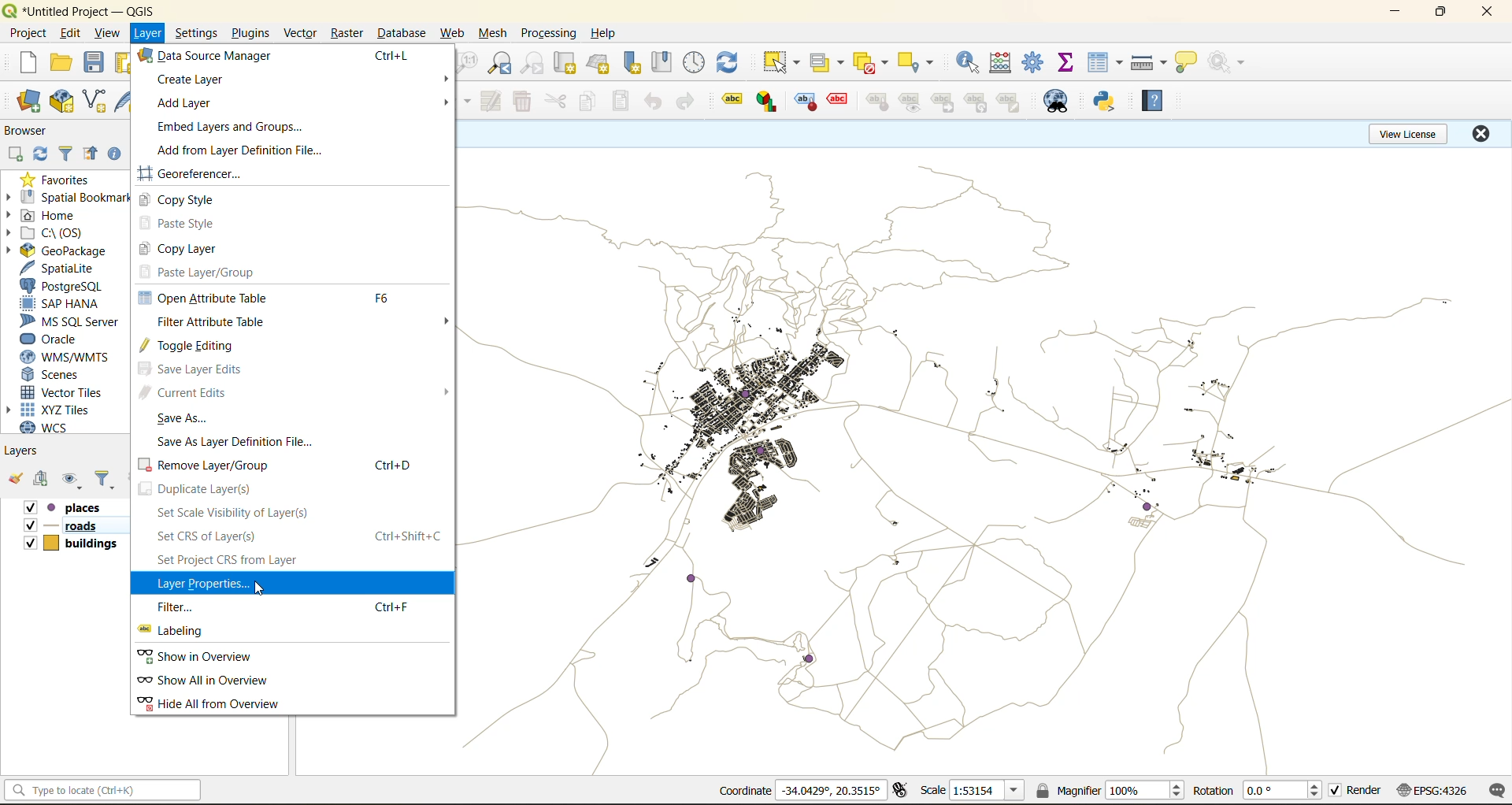 Image resolution: width=1512 pixels, height=805 pixels. What do you see at coordinates (1054, 103) in the screenshot?
I see `metasearch` at bounding box center [1054, 103].